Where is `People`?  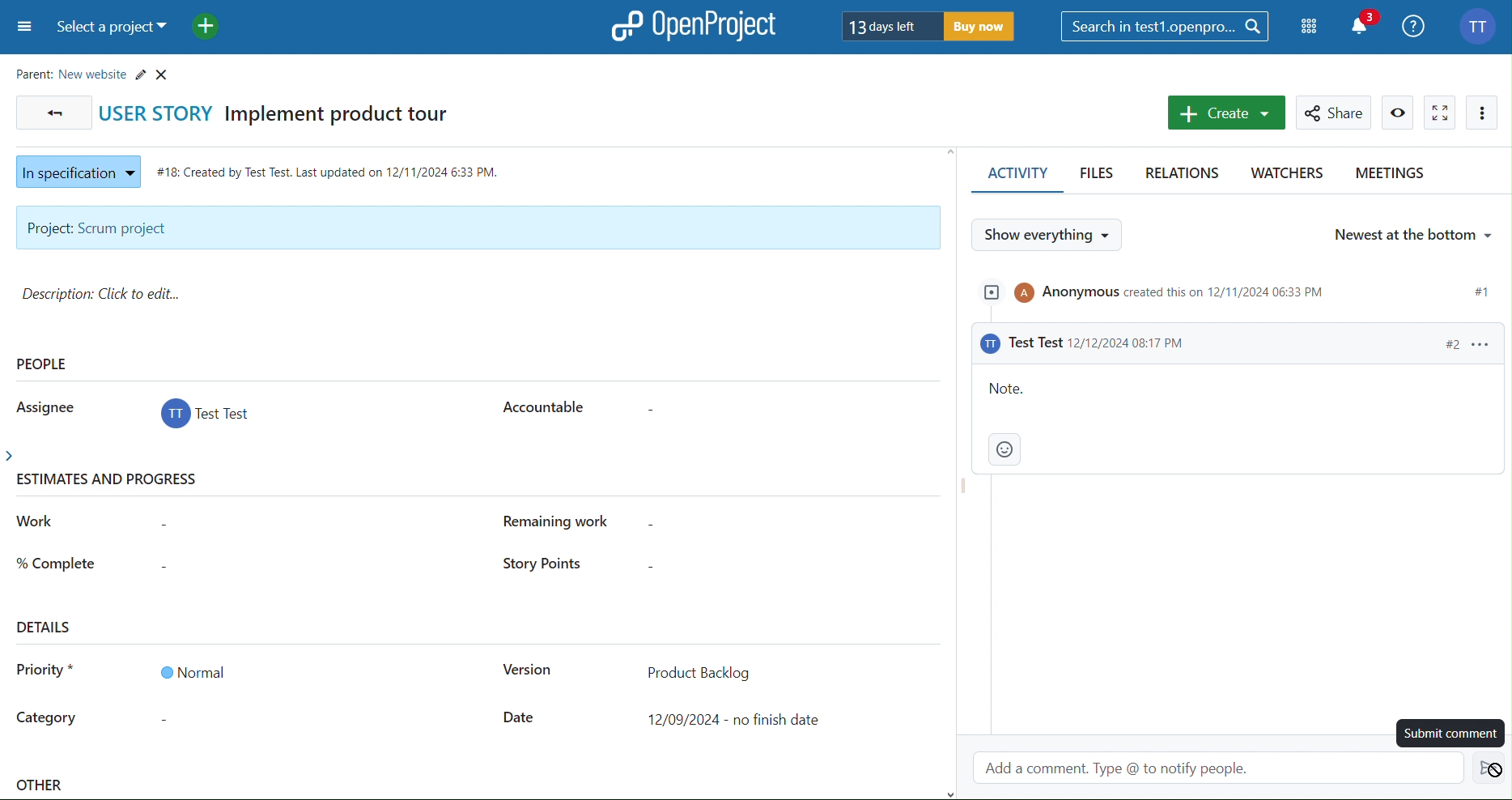 People is located at coordinates (44, 364).